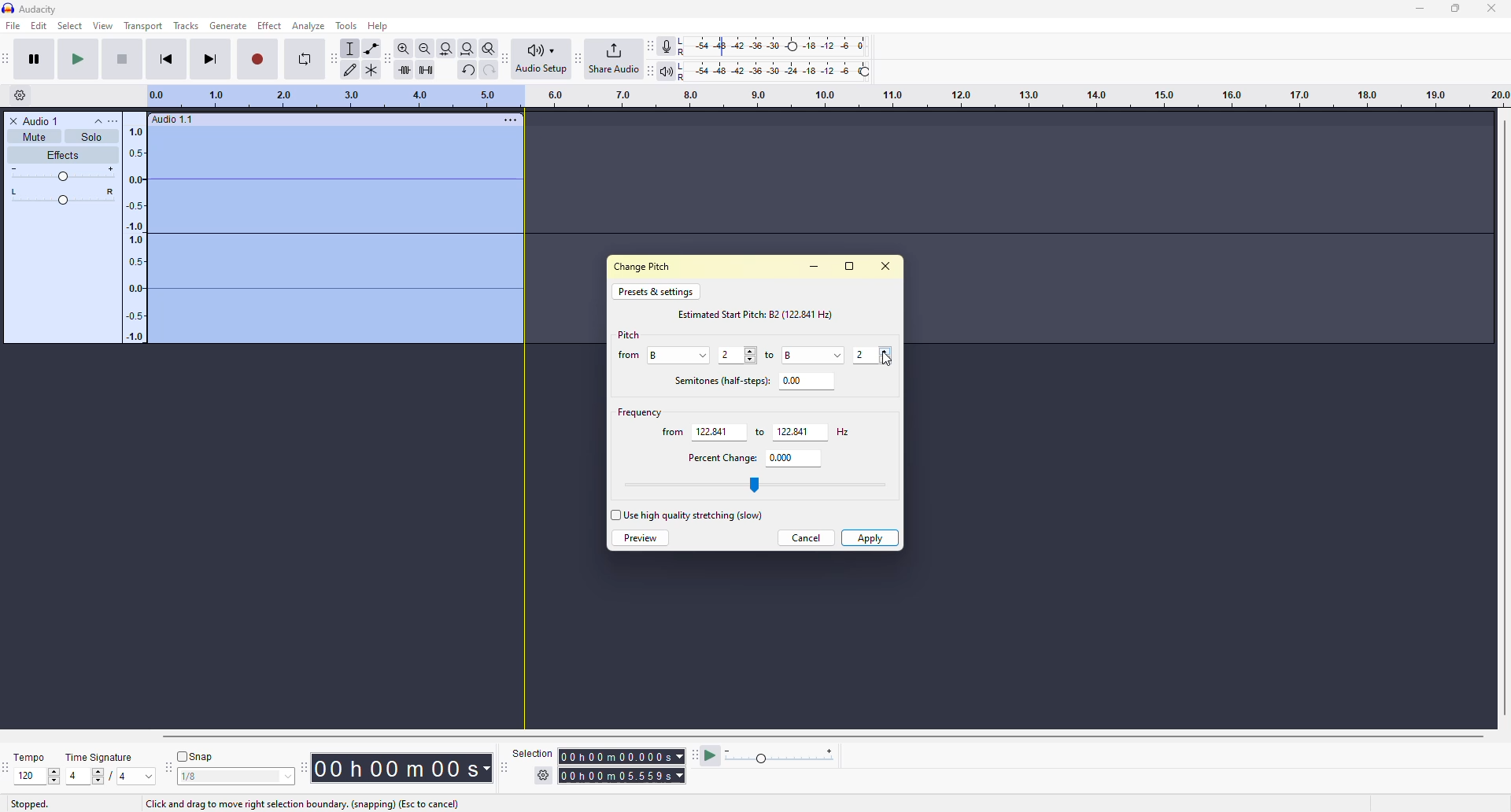 Image resolution: width=1511 pixels, height=812 pixels. I want to click on time, so click(620, 755).